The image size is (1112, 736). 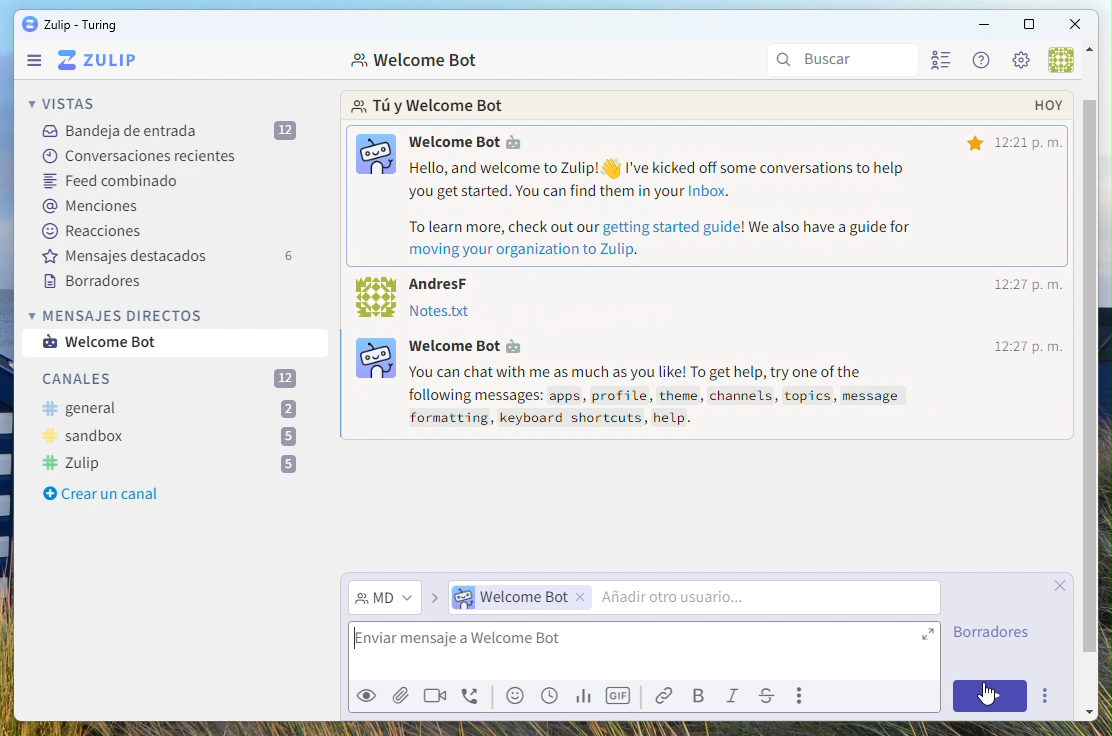 What do you see at coordinates (1044, 696) in the screenshot?
I see `more` at bounding box center [1044, 696].